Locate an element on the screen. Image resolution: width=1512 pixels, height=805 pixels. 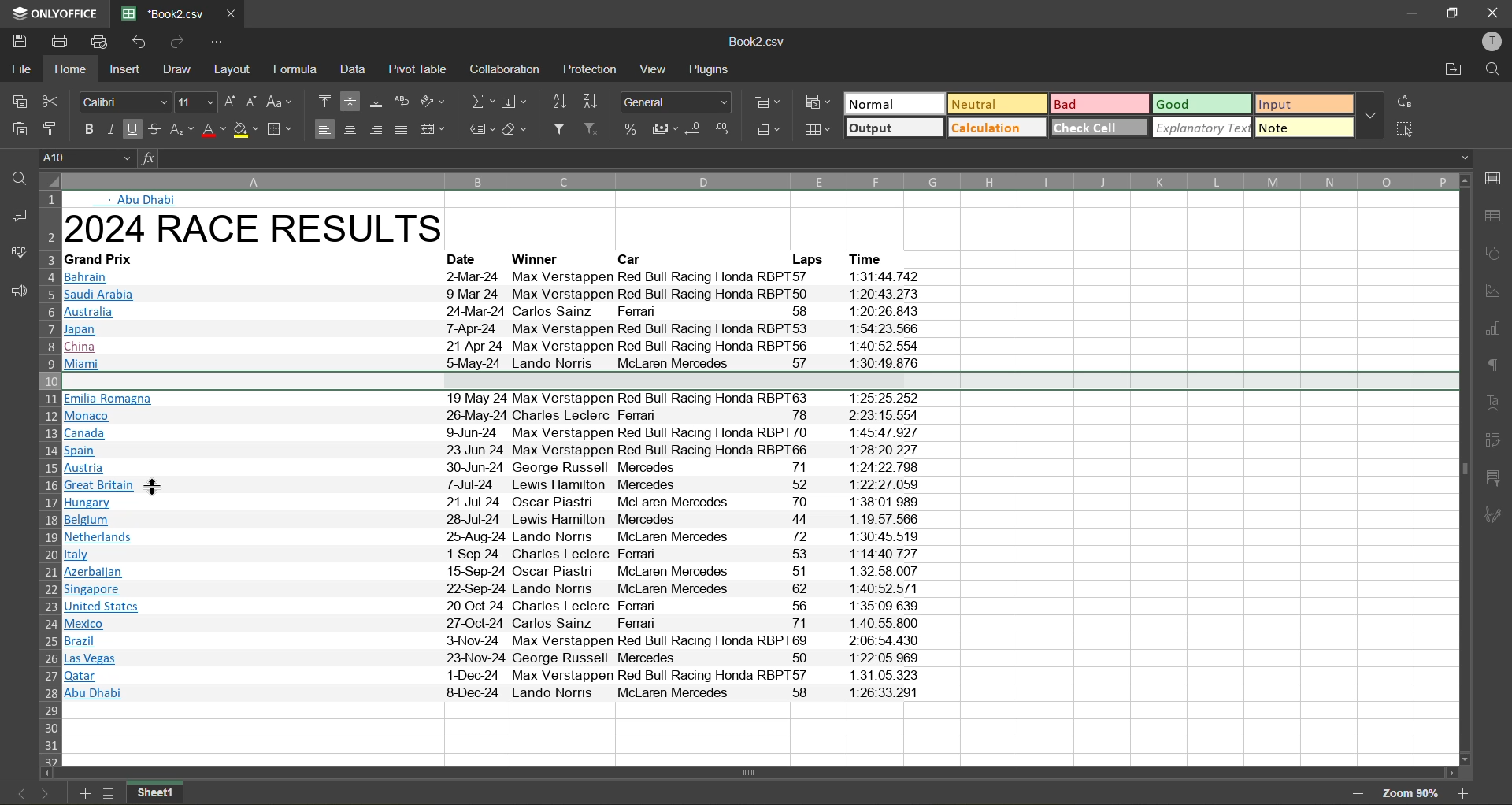
Spain 23-Jun-24 Max Verstappen Red Bull Racing Honda RBPT66 1:28:20.227 is located at coordinates (492, 451).